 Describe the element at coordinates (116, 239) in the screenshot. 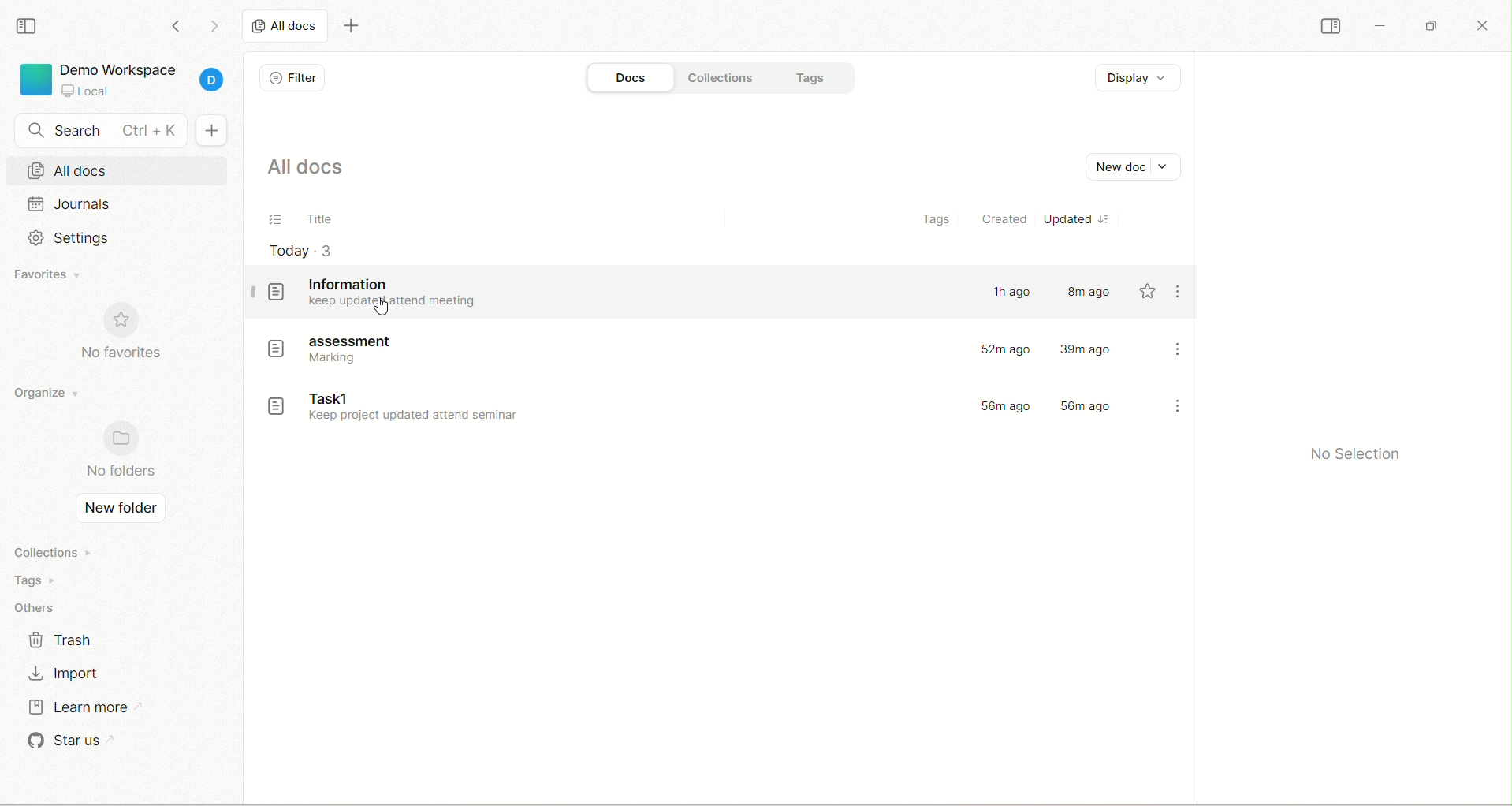

I see `settings` at that location.